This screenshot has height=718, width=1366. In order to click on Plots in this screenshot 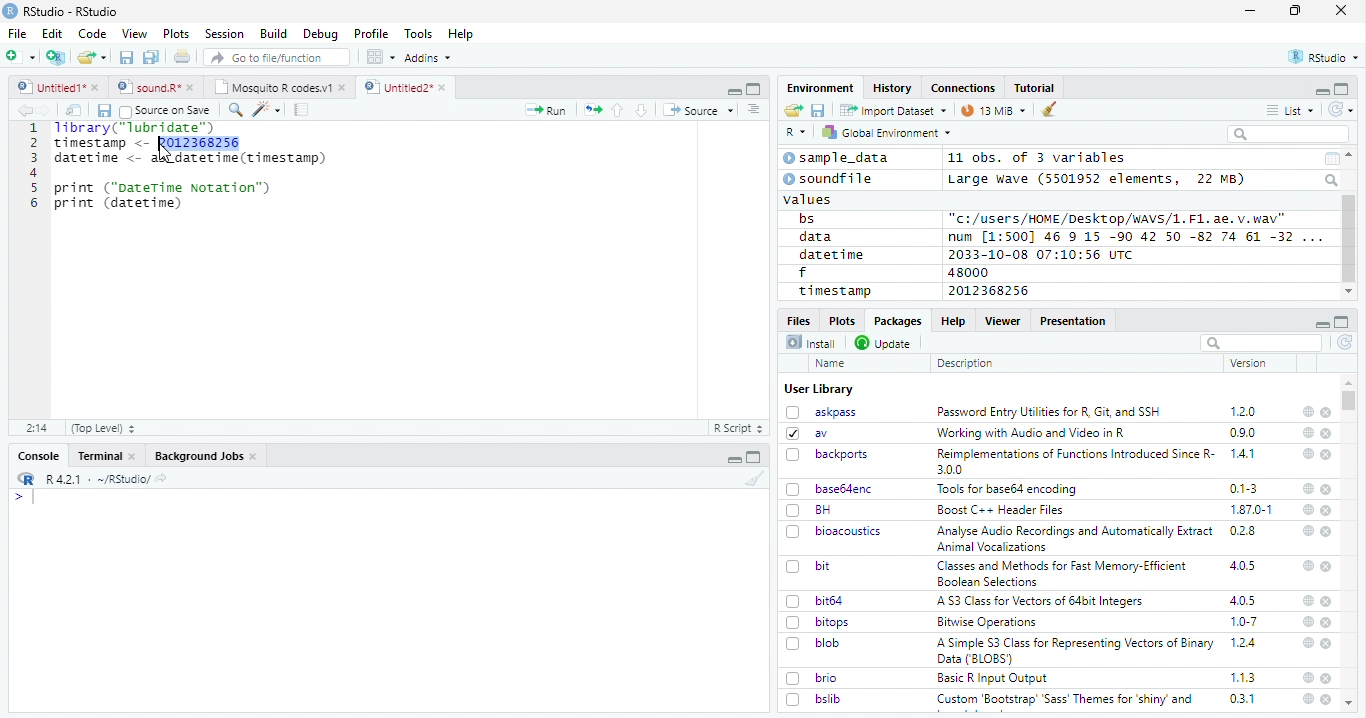, I will do `click(841, 320)`.